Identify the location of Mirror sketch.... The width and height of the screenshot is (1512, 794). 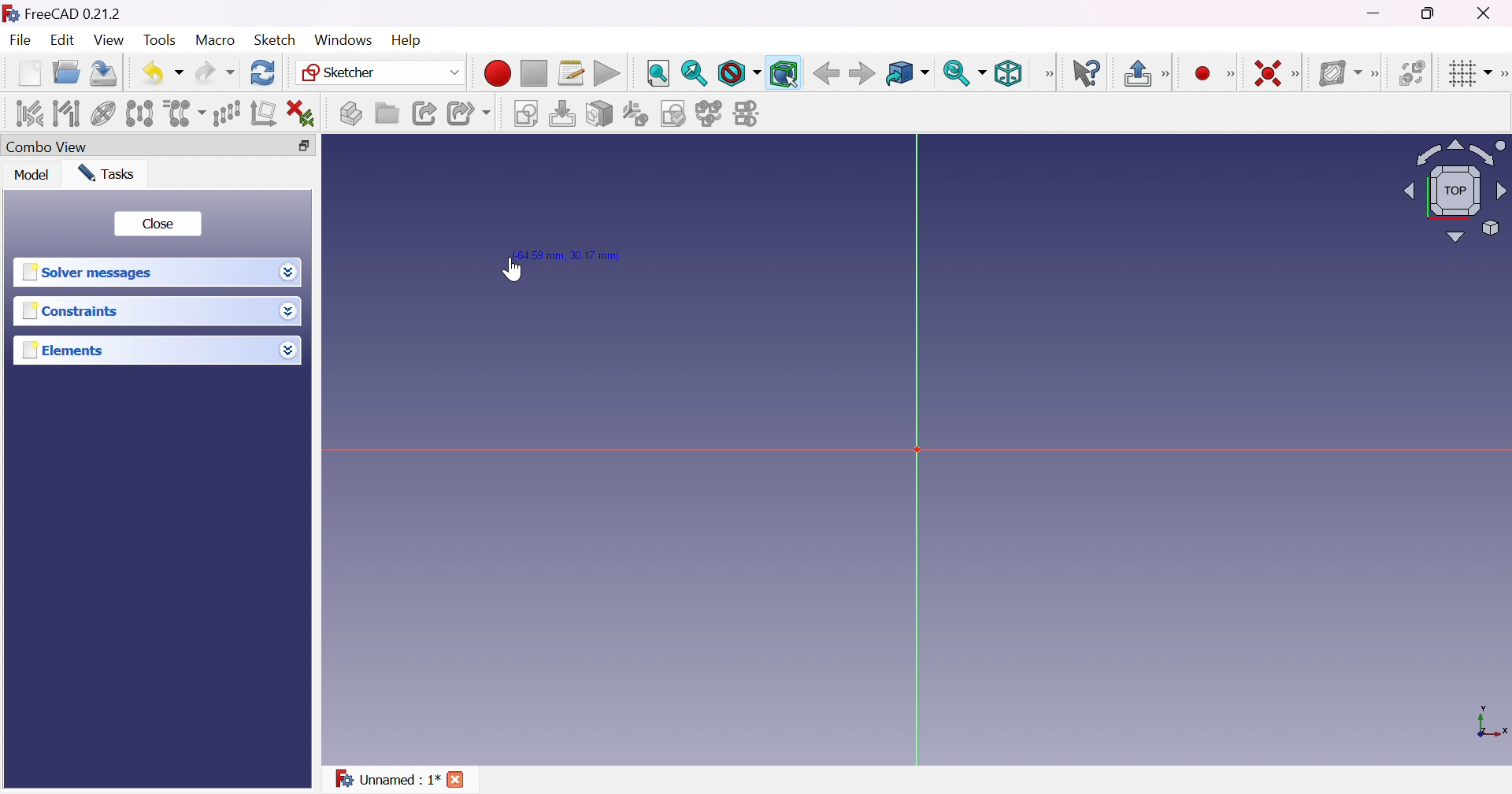
(748, 113).